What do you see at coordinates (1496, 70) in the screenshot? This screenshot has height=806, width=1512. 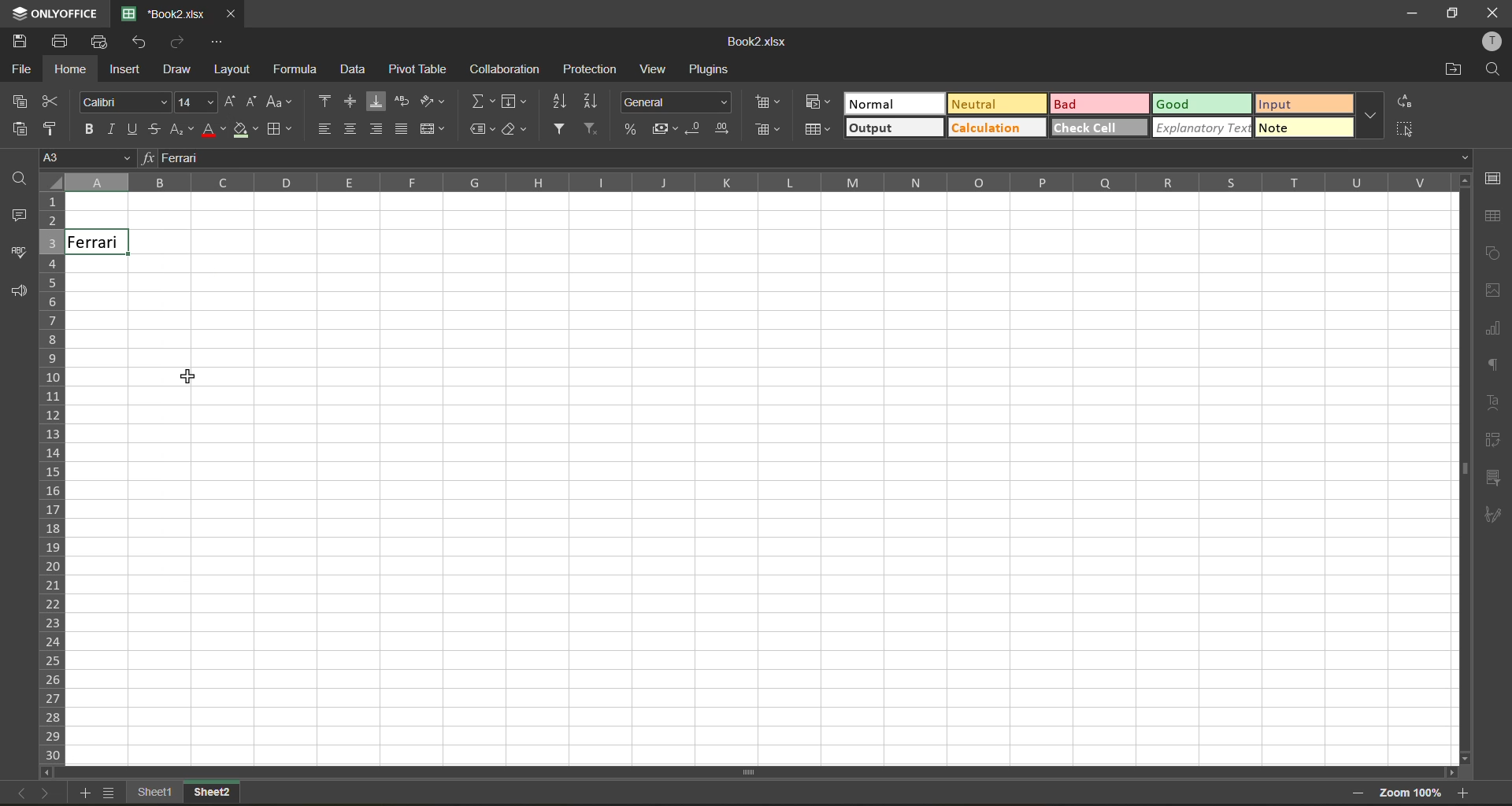 I see `find` at bounding box center [1496, 70].